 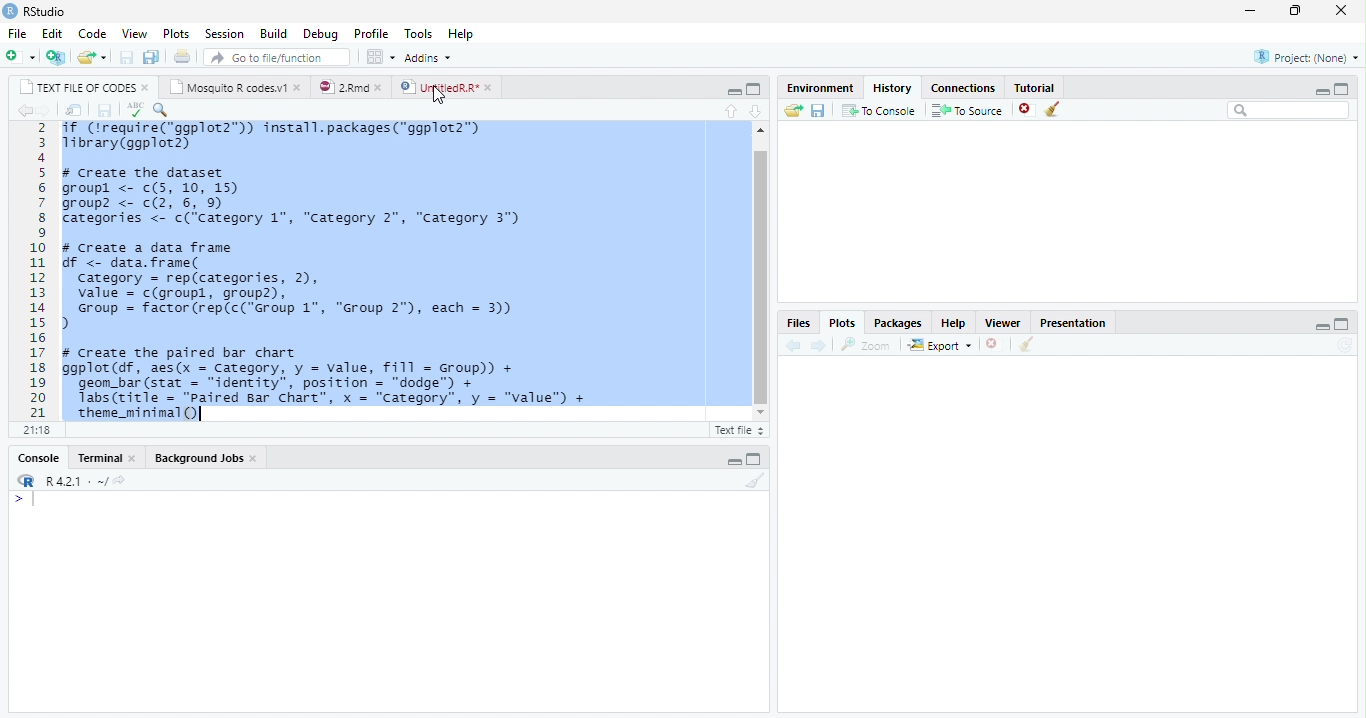 I want to click on  to source : insert the selected command into the current document , so click(x=964, y=110).